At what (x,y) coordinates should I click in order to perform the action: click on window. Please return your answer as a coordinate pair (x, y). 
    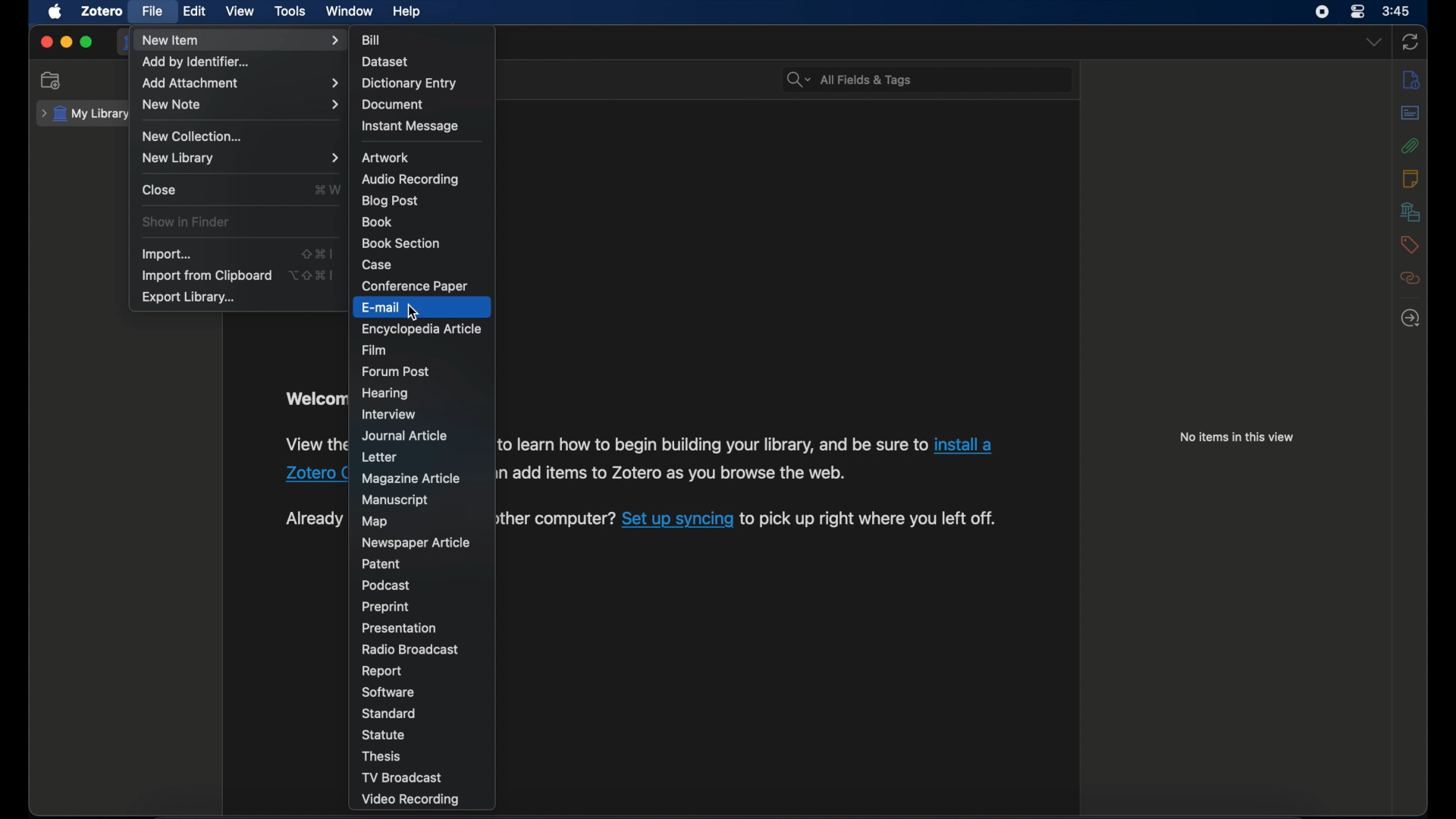
    Looking at the image, I should click on (349, 11).